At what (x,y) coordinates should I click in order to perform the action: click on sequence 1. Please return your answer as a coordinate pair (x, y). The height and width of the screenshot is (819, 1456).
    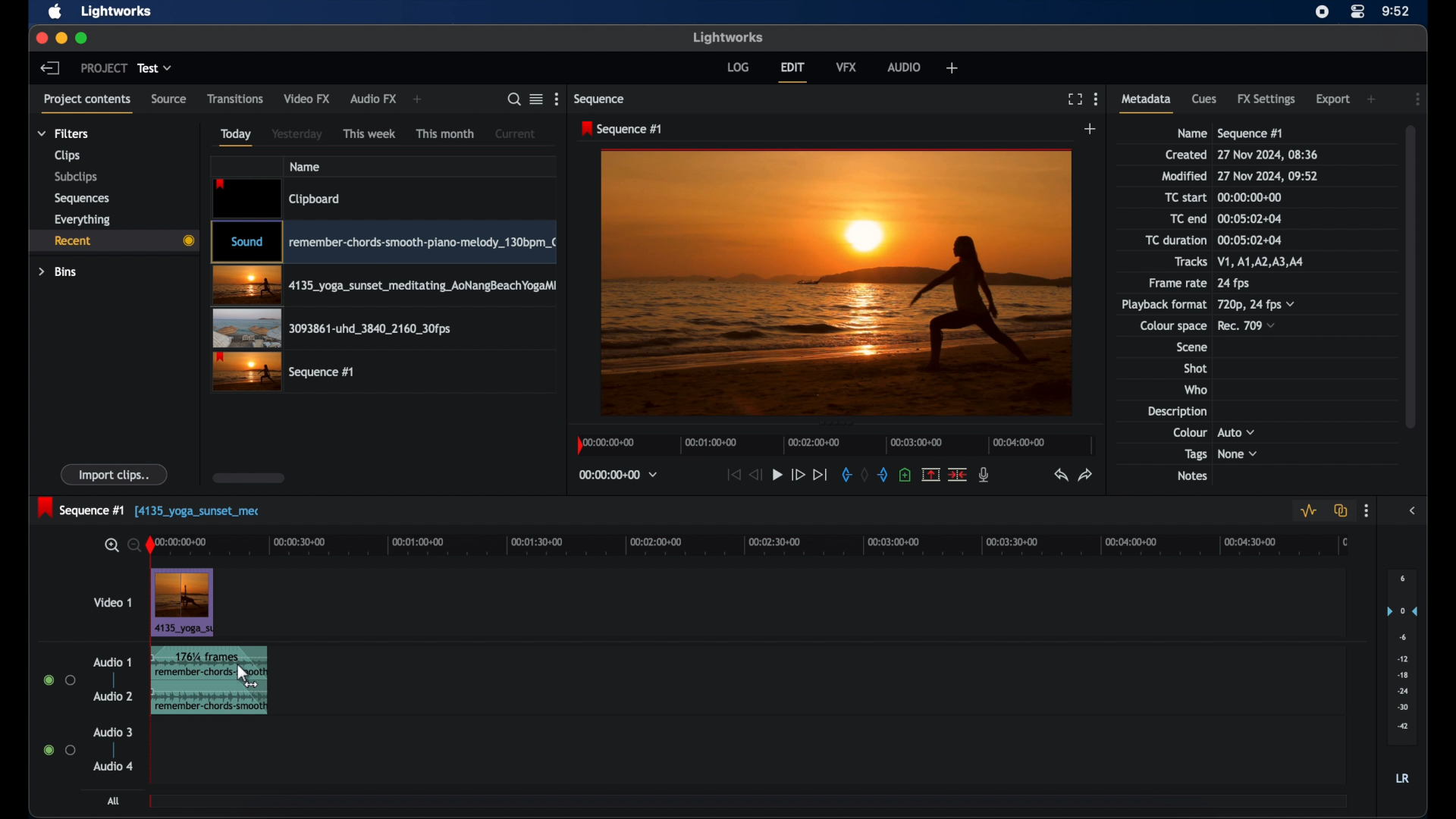
    Looking at the image, I should click on (150, 508).